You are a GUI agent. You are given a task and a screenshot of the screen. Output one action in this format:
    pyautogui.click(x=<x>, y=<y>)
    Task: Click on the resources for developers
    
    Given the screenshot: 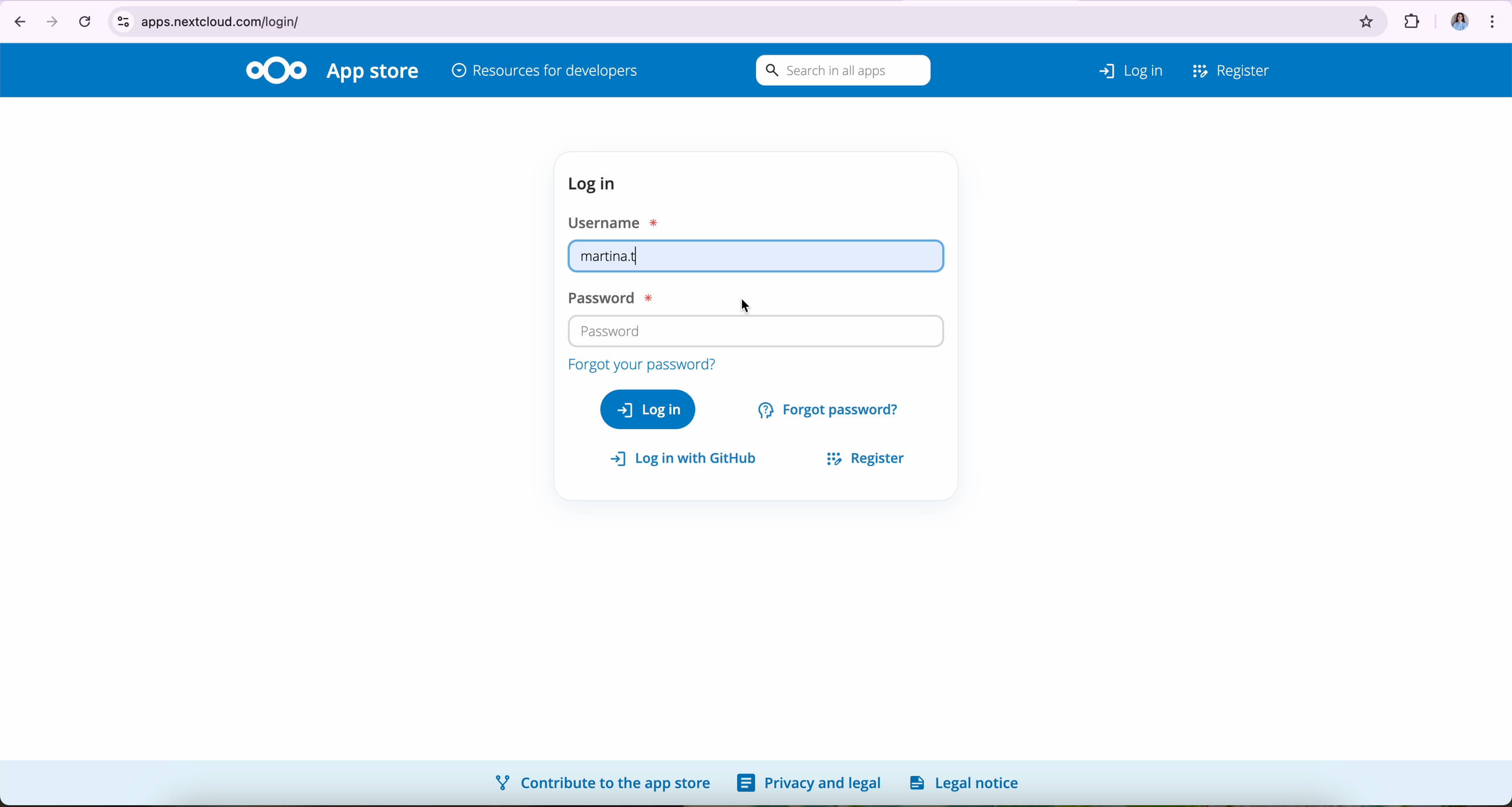 What is the action you would take?
    pyautogui.click(x=545, y=72)
    